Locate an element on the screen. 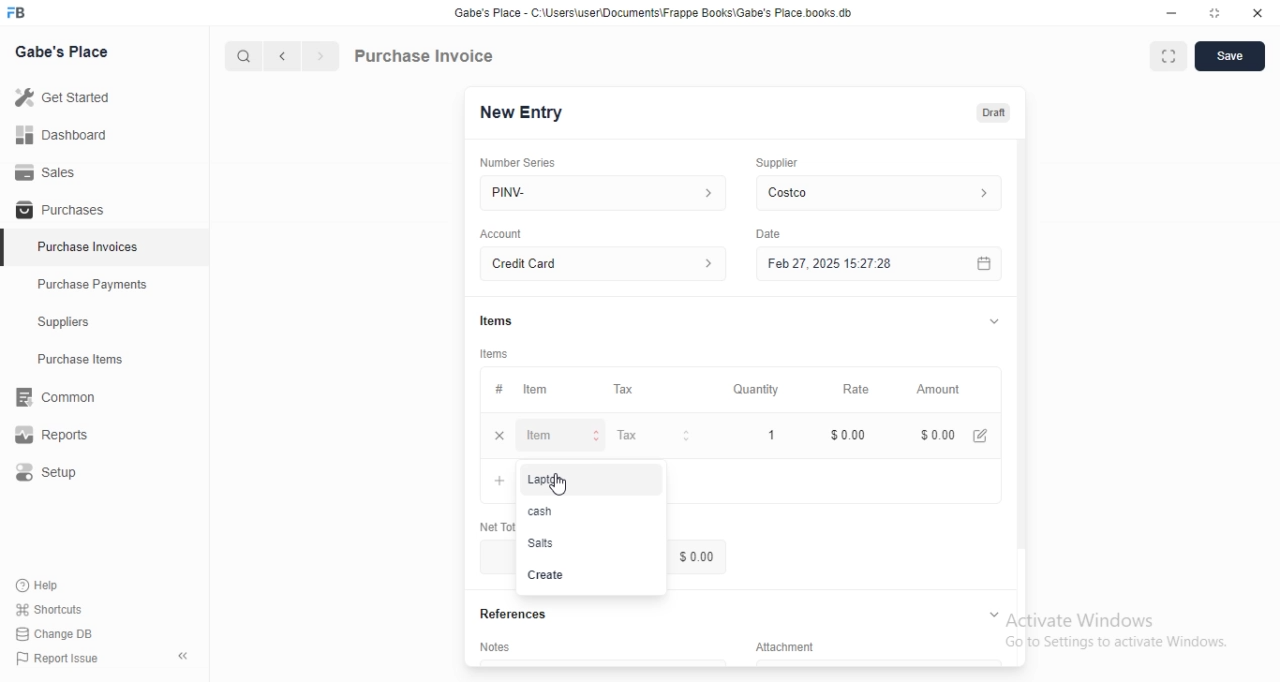 Image resolution: width=1280 pixels, height=682 pixels. Date is located at coordinates (768, 234).